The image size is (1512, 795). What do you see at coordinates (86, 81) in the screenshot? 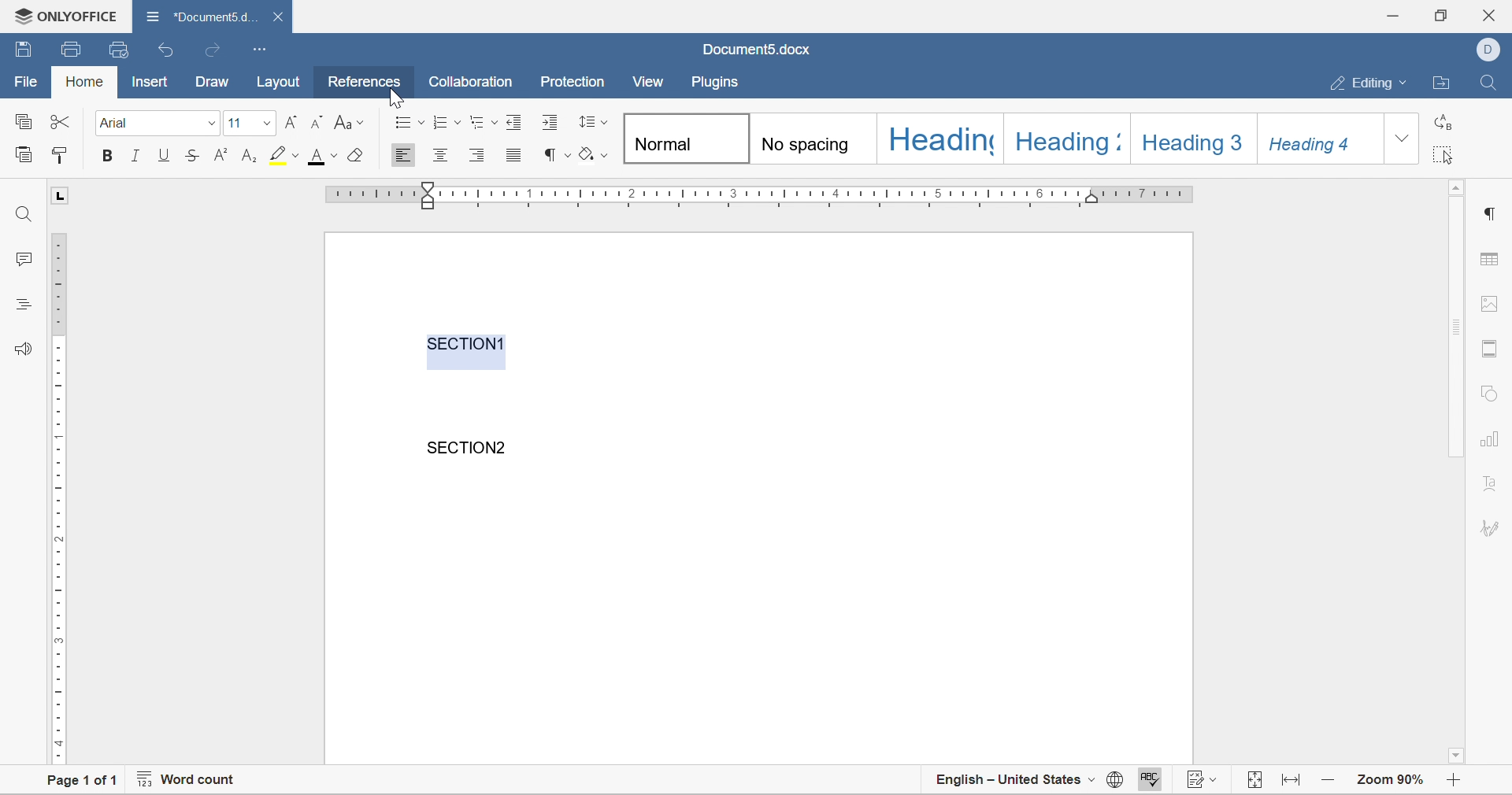
I see `home` at bounding box center [86, 81].